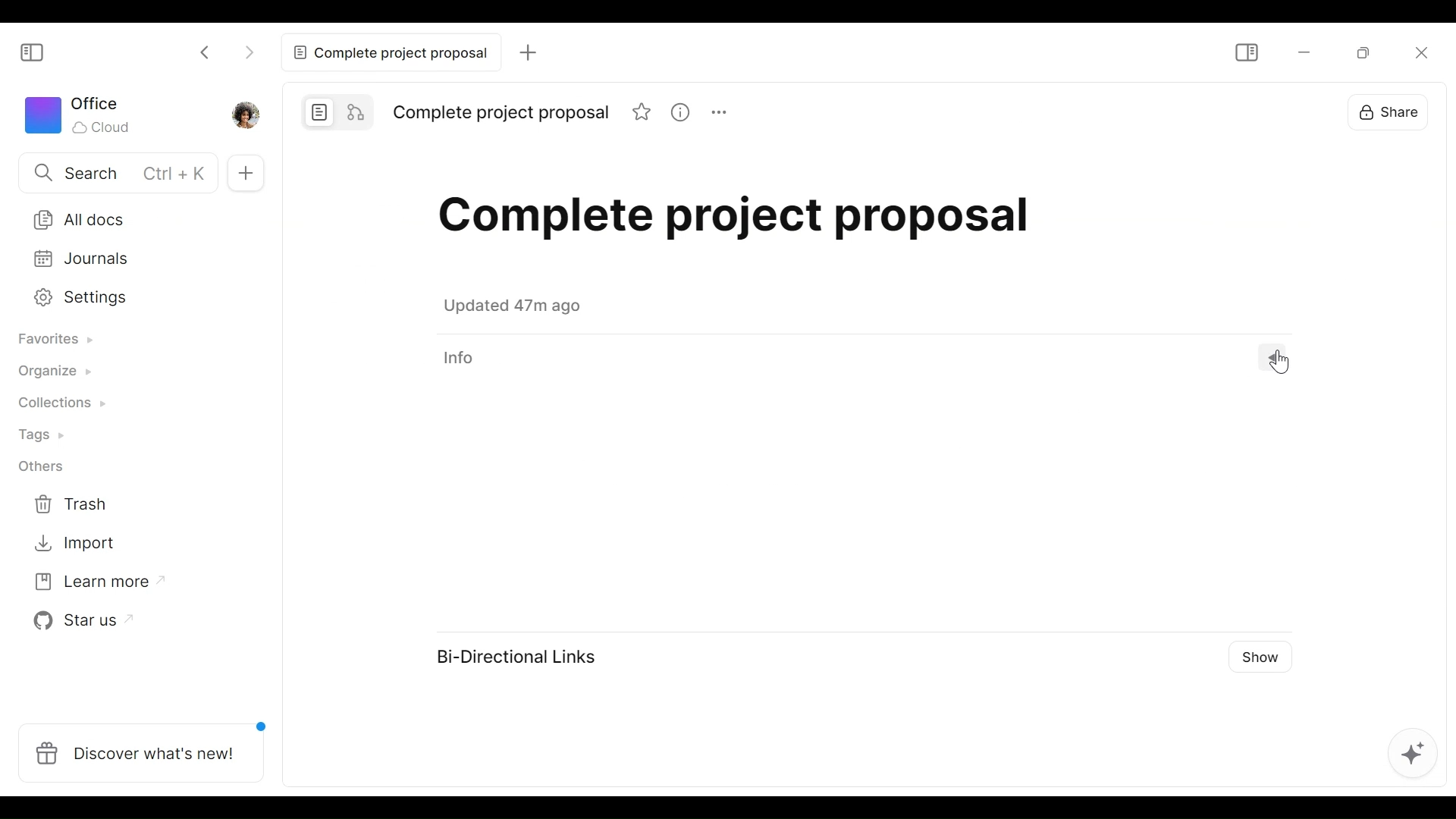  Describe the element at coordinates (85, 117) in the screenshot. I see `Worksapce` at that location.